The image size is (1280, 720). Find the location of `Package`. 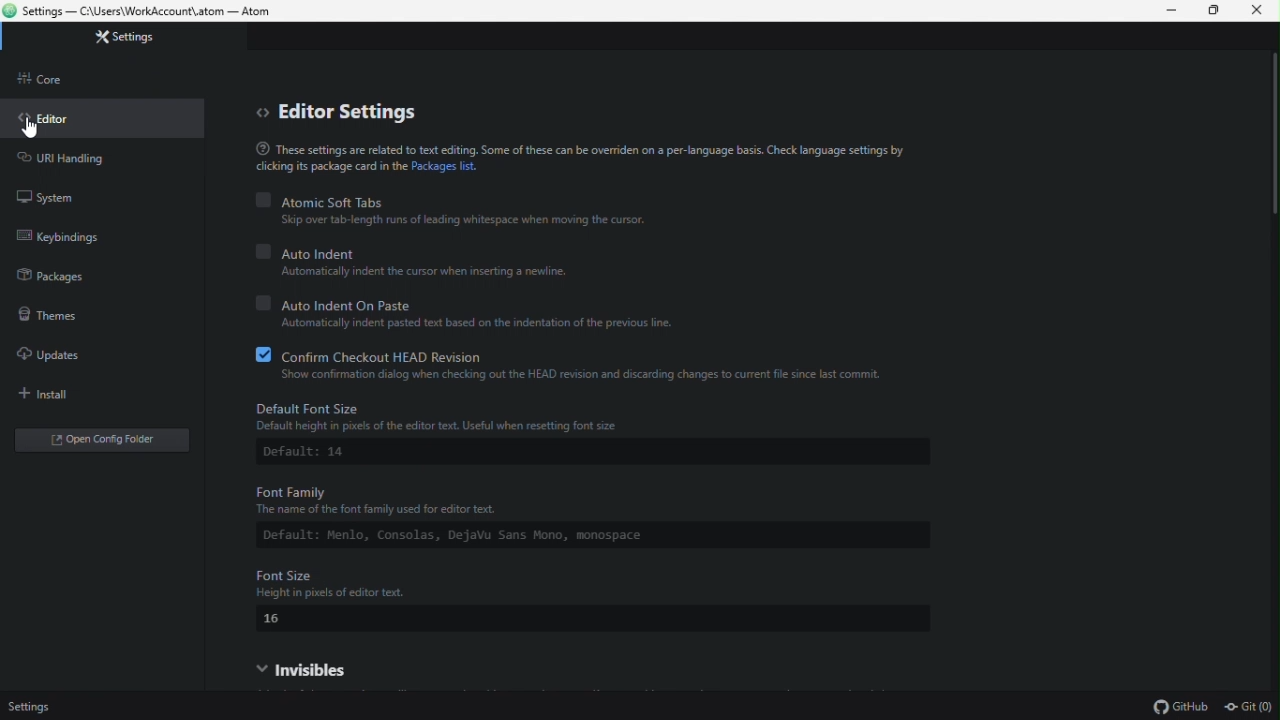

Package is located at coordinates (71, 281).